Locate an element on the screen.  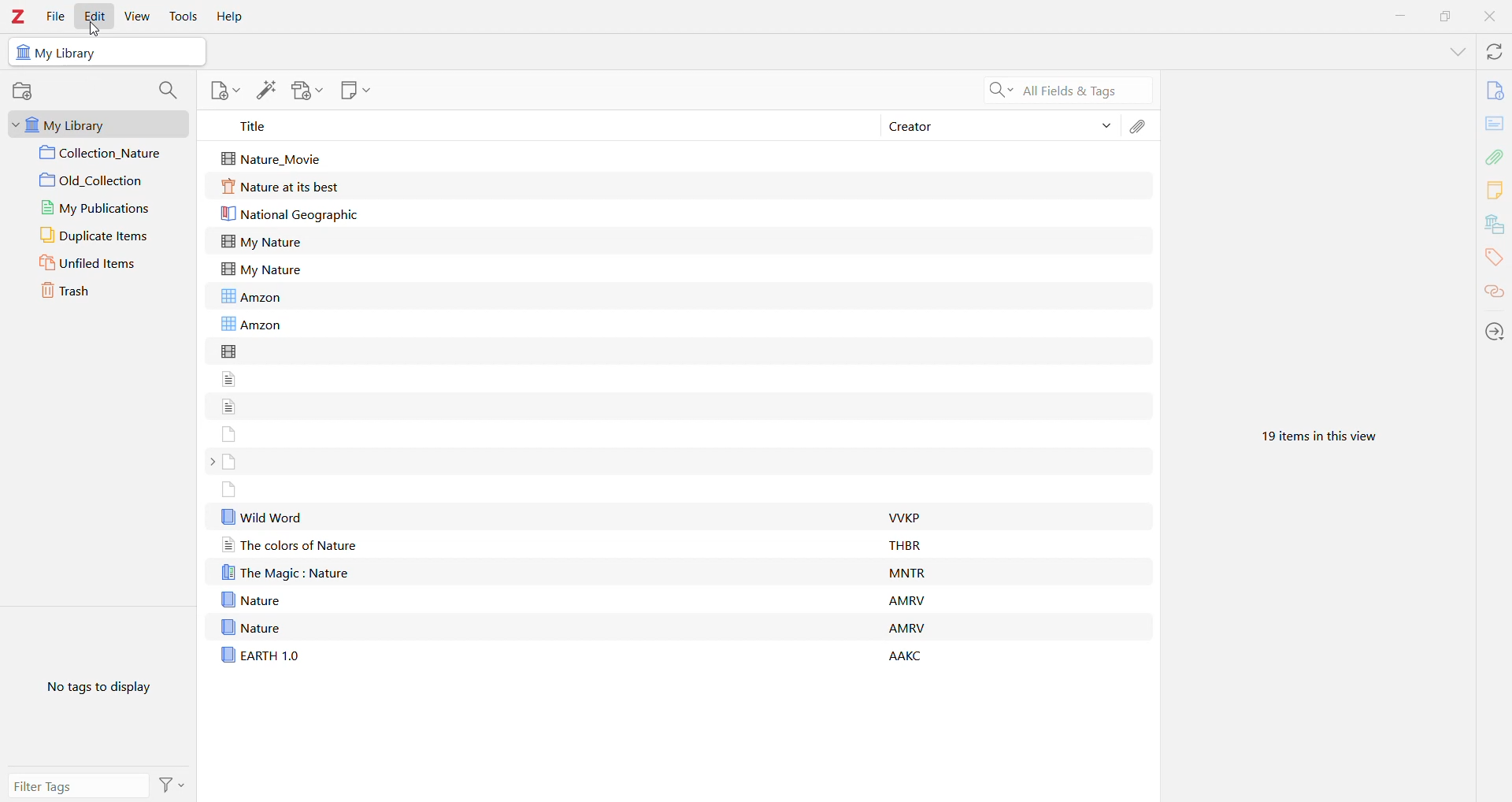
icon is located at coordinates (21, 53).